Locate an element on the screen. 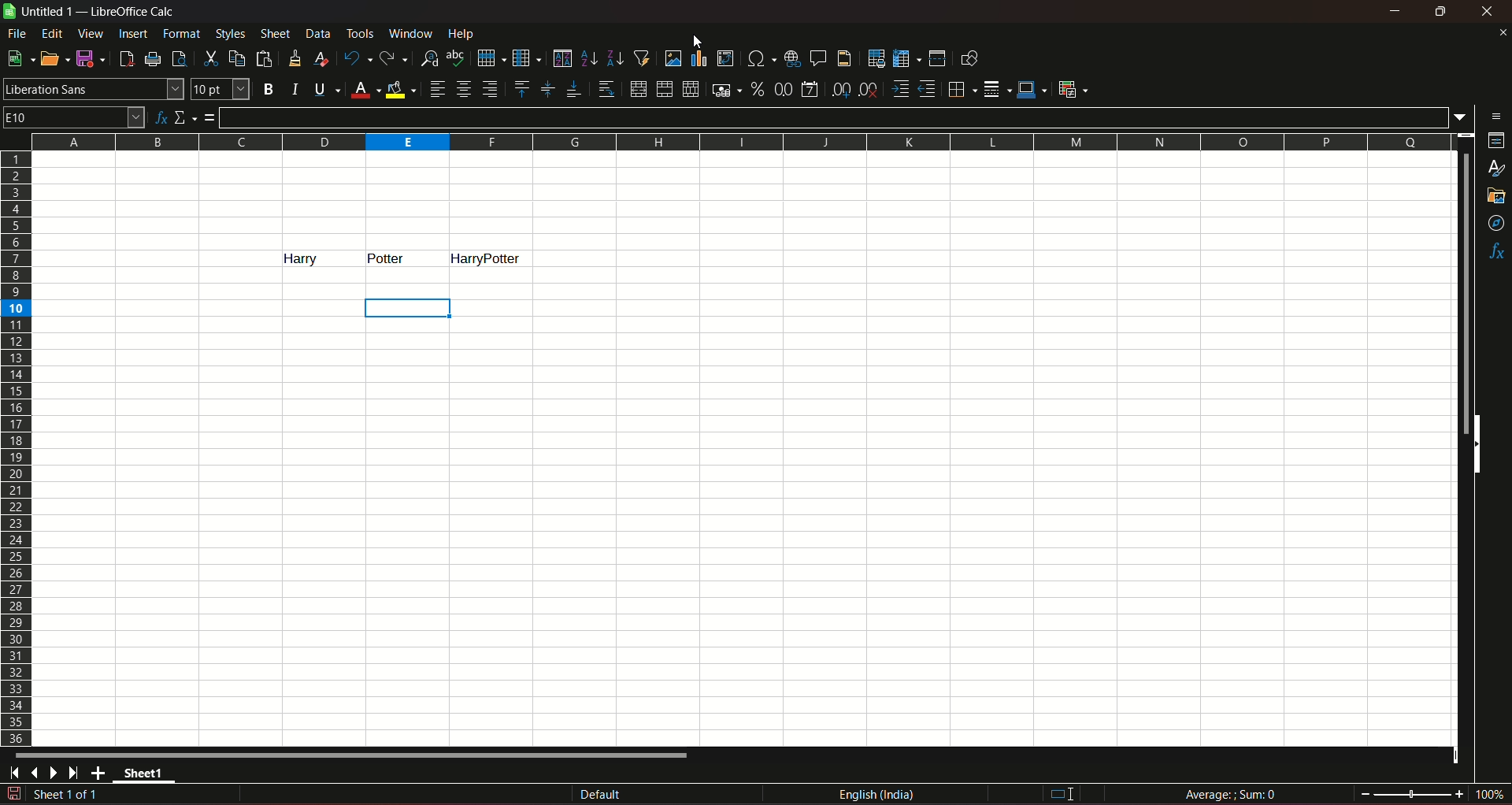 The image size is (1512, 805). add new sheet is located at coordinates (100, 773).